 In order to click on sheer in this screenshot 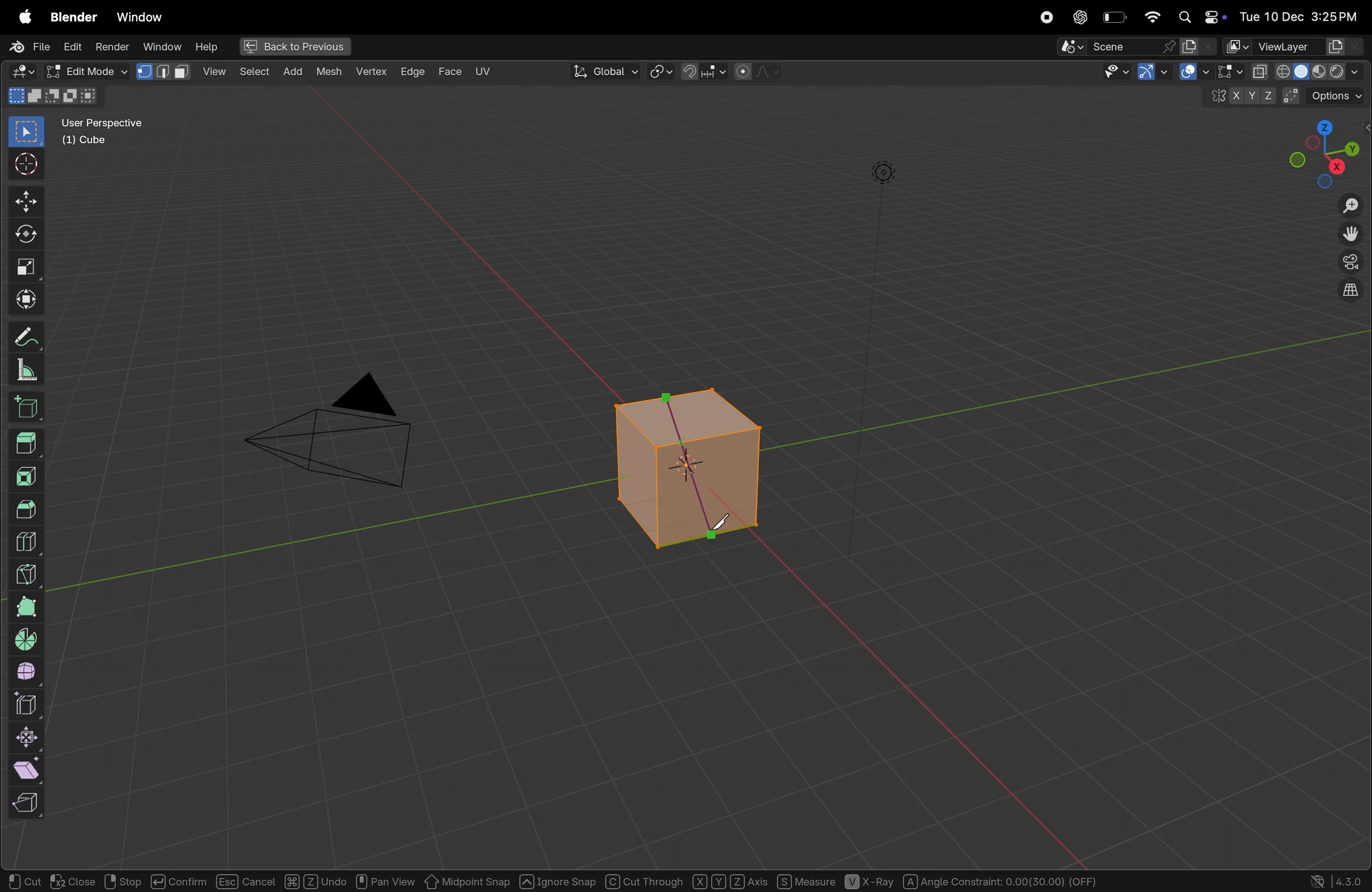, I will do `click(31, 769)`.